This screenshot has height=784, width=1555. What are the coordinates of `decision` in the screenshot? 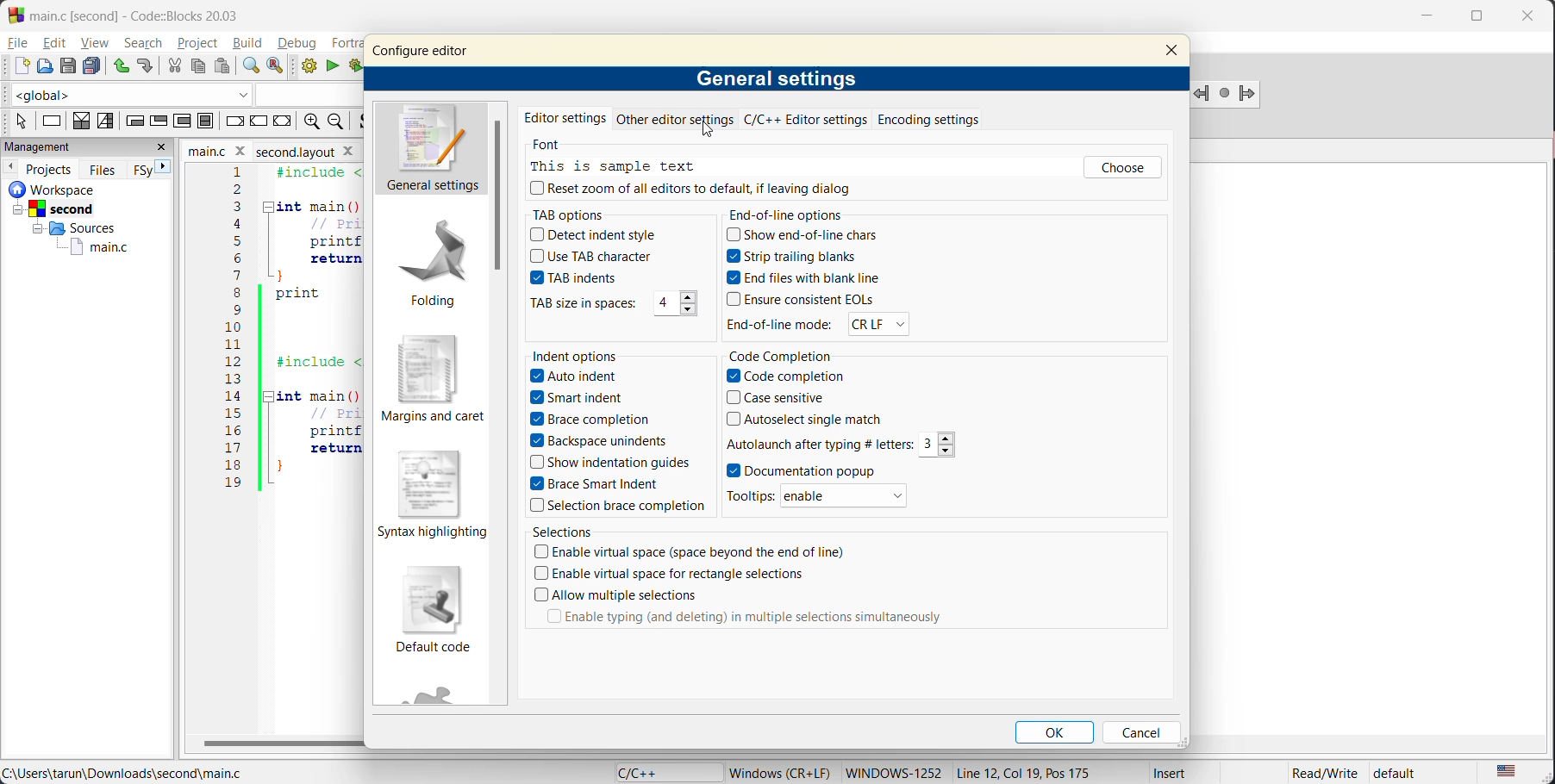 It's located at (78, 121).